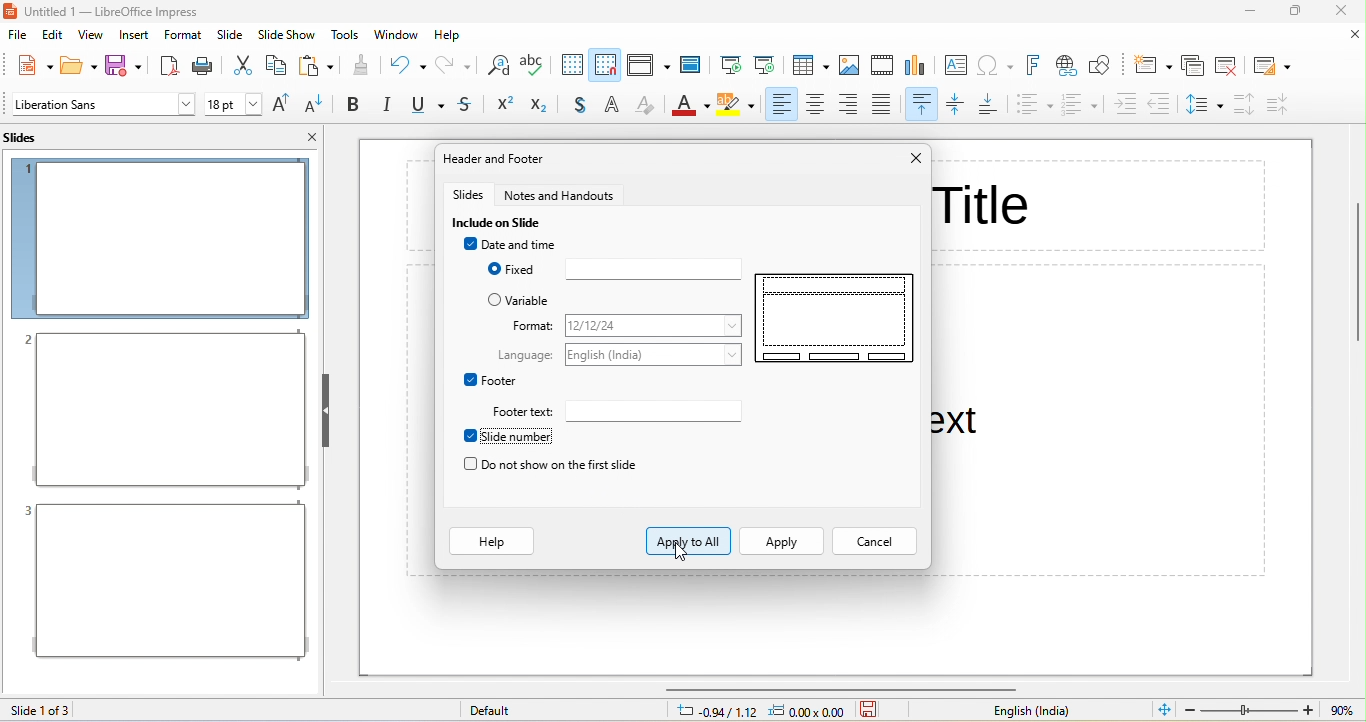  I want to click on default, so click(502, 711).